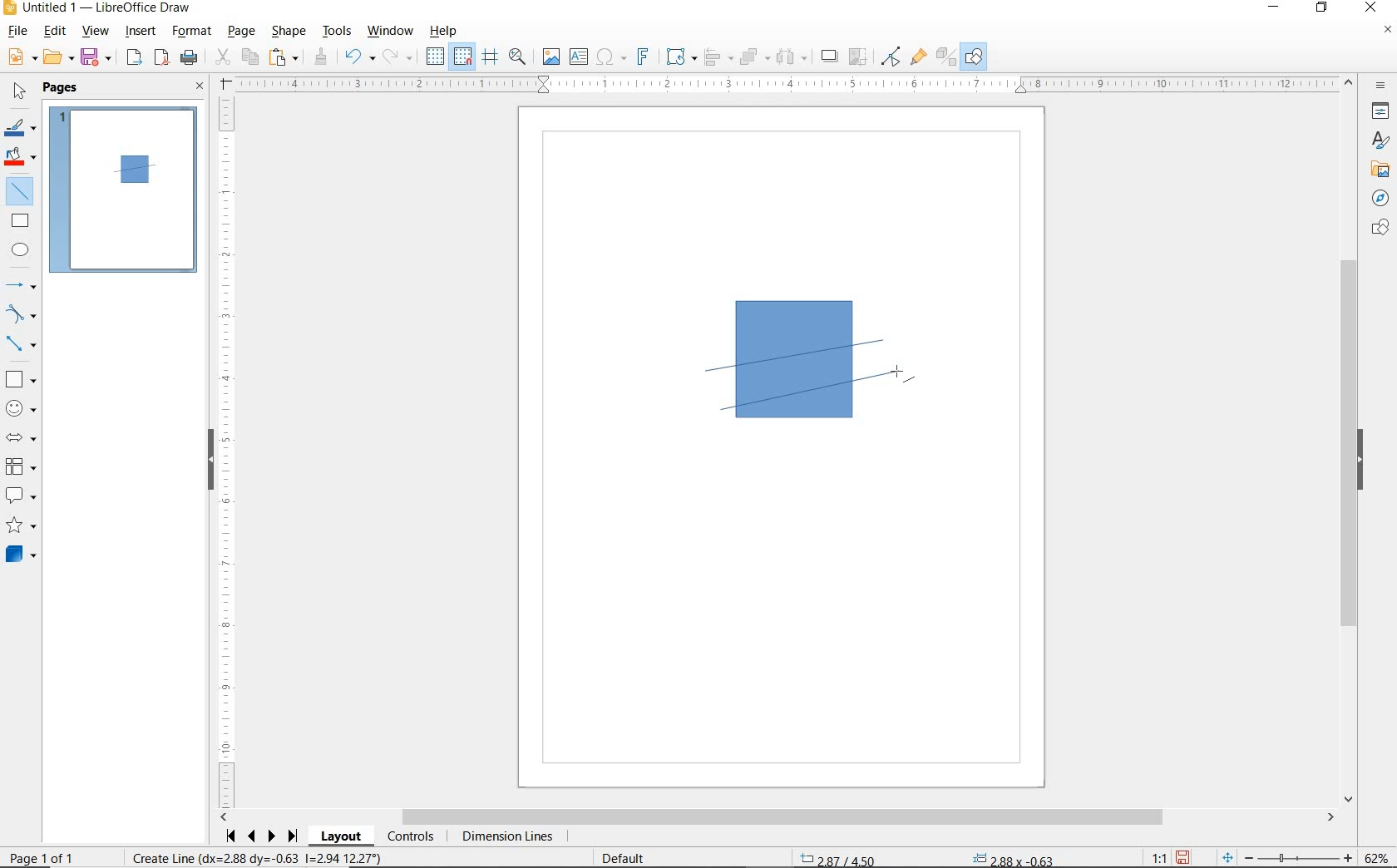  Describe the element at coordinates (343, 836) in the screenshot. I see `LAYOUT` at that location.